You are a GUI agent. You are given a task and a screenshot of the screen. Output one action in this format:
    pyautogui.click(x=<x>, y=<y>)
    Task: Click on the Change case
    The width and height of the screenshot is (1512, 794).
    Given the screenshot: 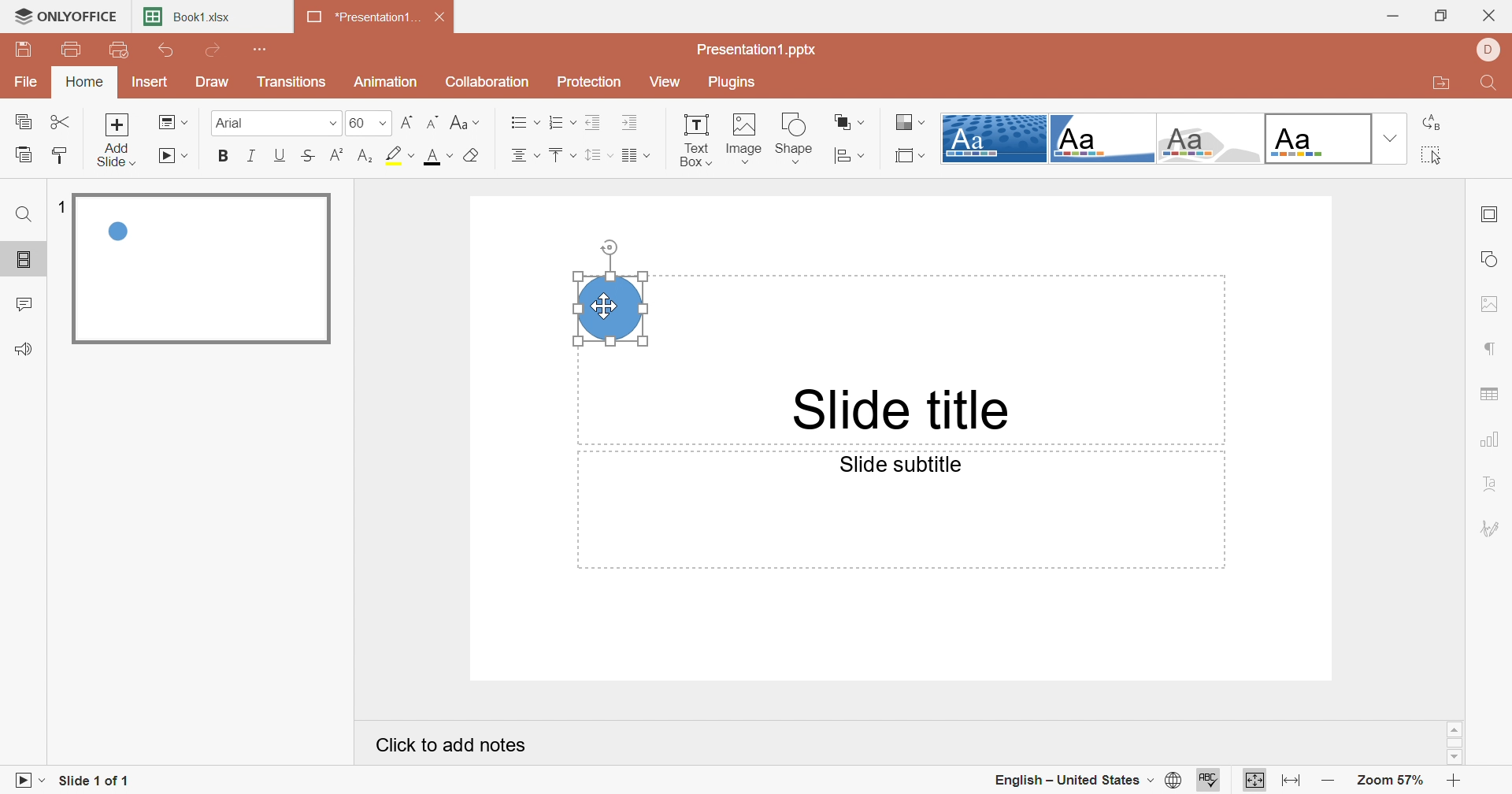 What is the action you would take?
    pyautogui.click(x=465, y=121)
    